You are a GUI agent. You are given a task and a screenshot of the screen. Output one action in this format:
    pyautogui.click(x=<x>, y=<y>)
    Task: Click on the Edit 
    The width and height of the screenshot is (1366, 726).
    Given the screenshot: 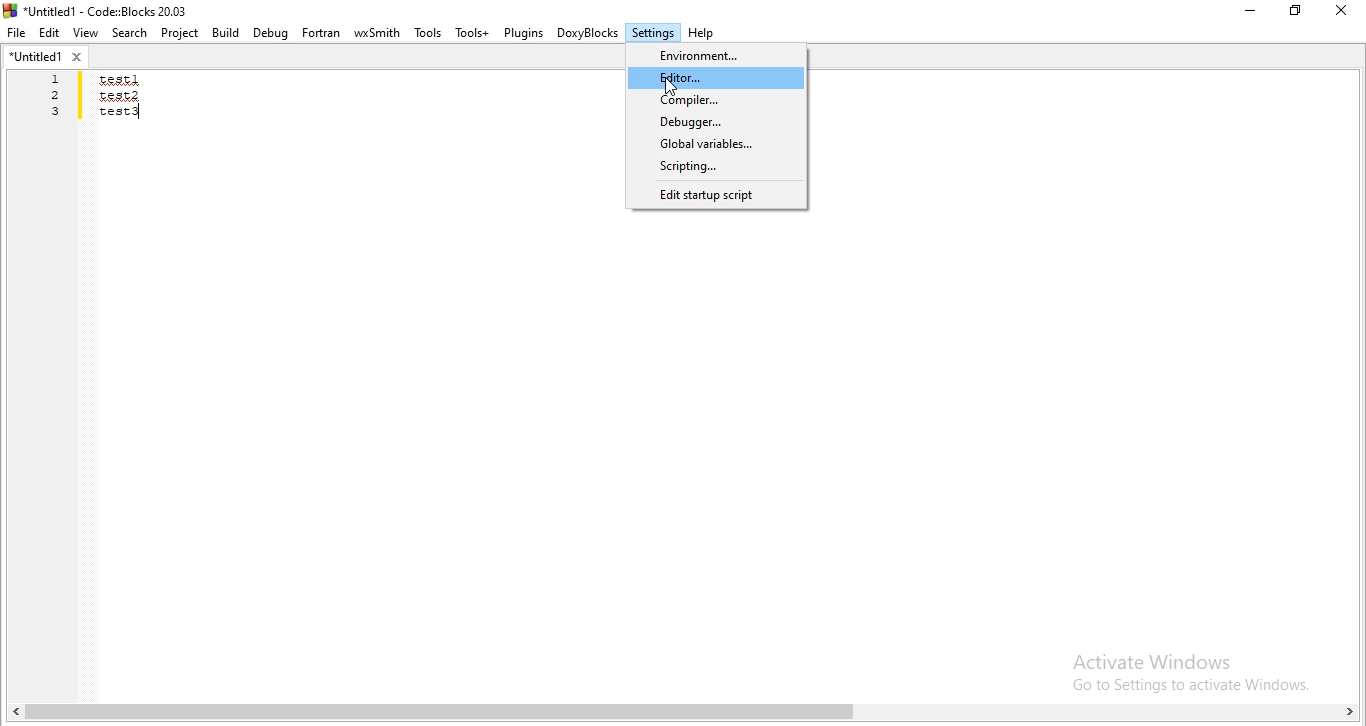 What is the action you would take?
    pyautogui.click(x=50, y=34)
    